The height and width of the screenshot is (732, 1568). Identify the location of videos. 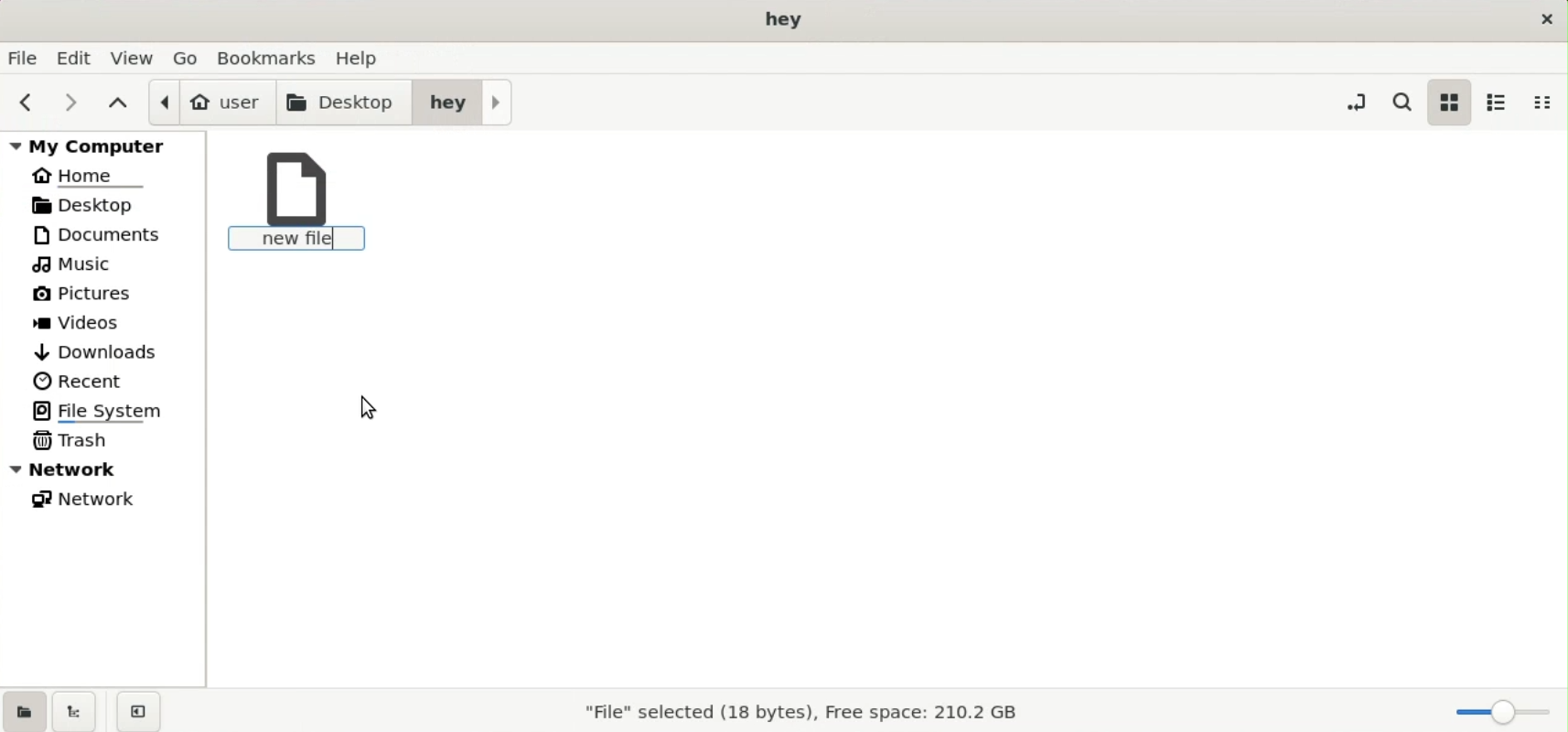
(83, 325).